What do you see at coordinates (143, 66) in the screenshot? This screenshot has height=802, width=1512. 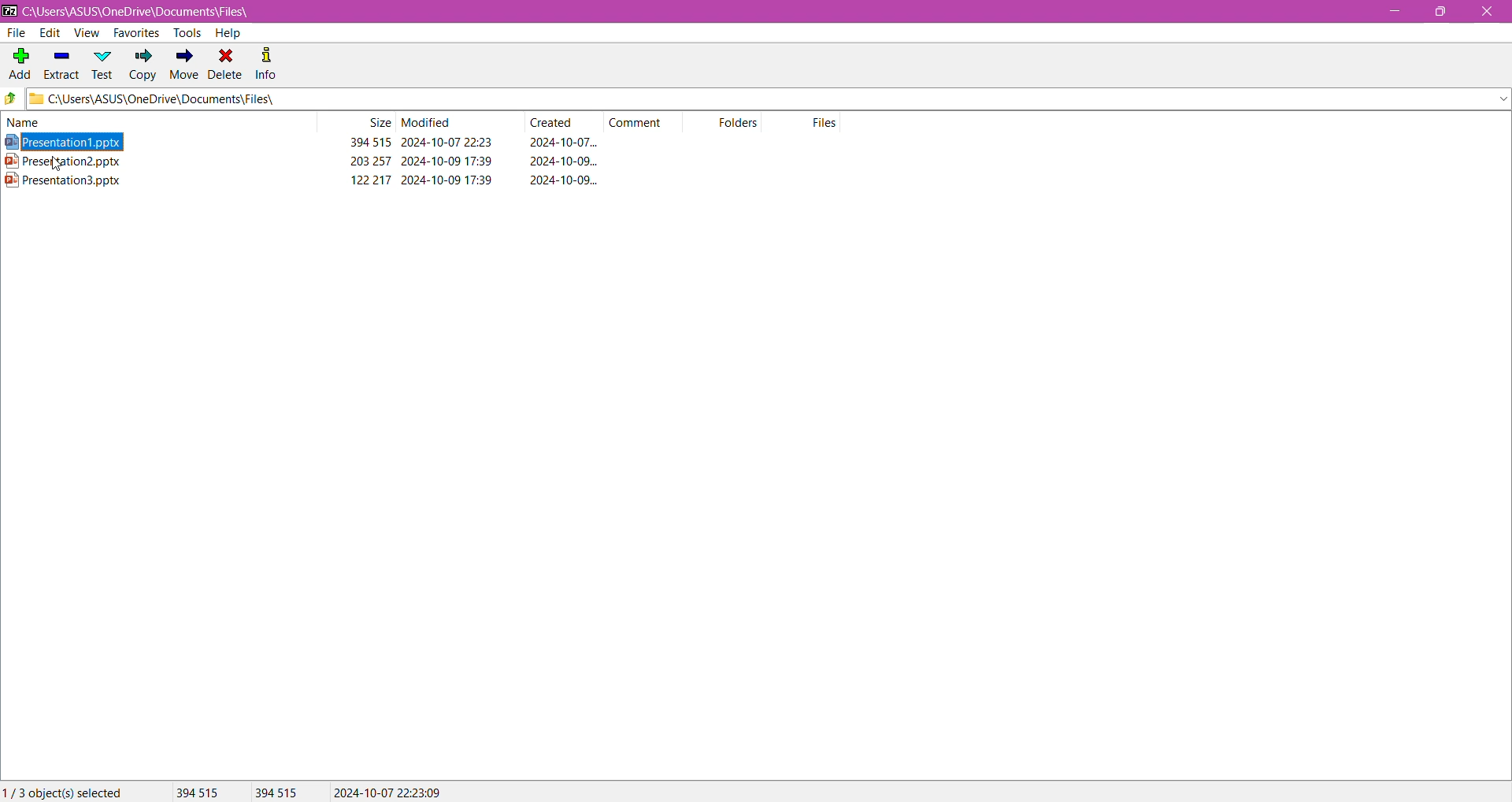 I see `Copy` at bounding box center [143, 66].